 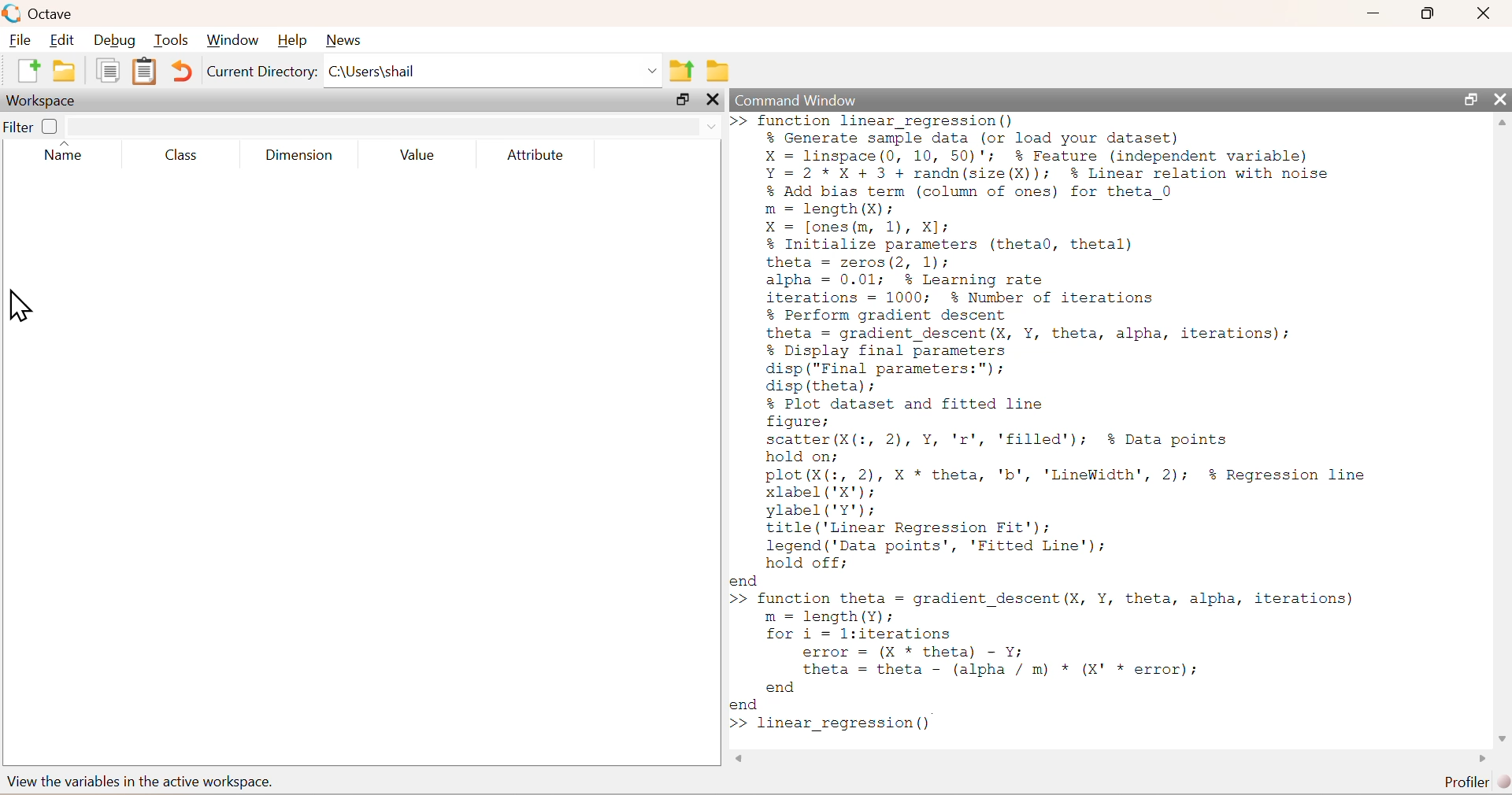 I want to click on File, so click(x=20, y=40).